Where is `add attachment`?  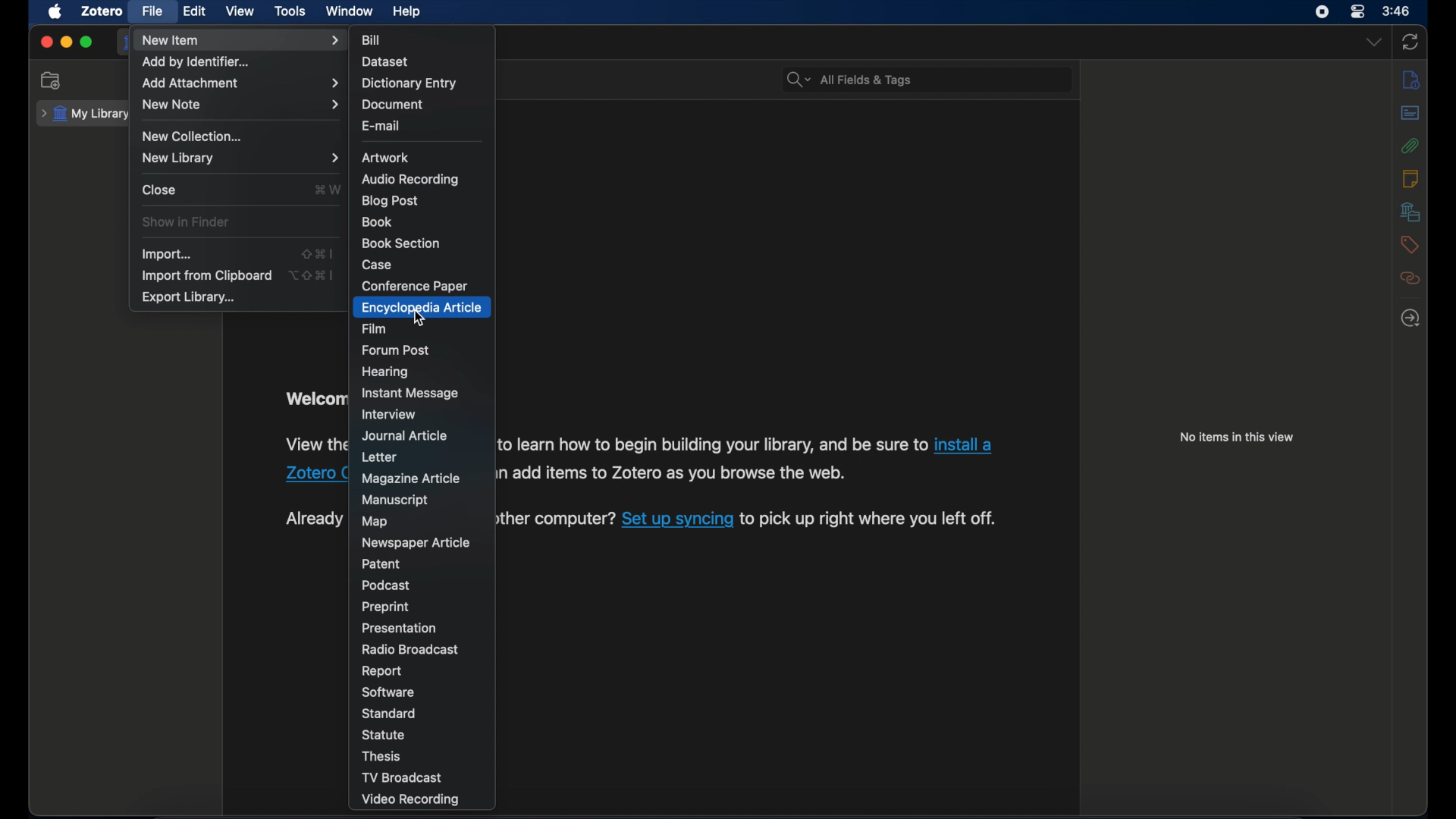 add attachment is located at coordinates (243, 83).